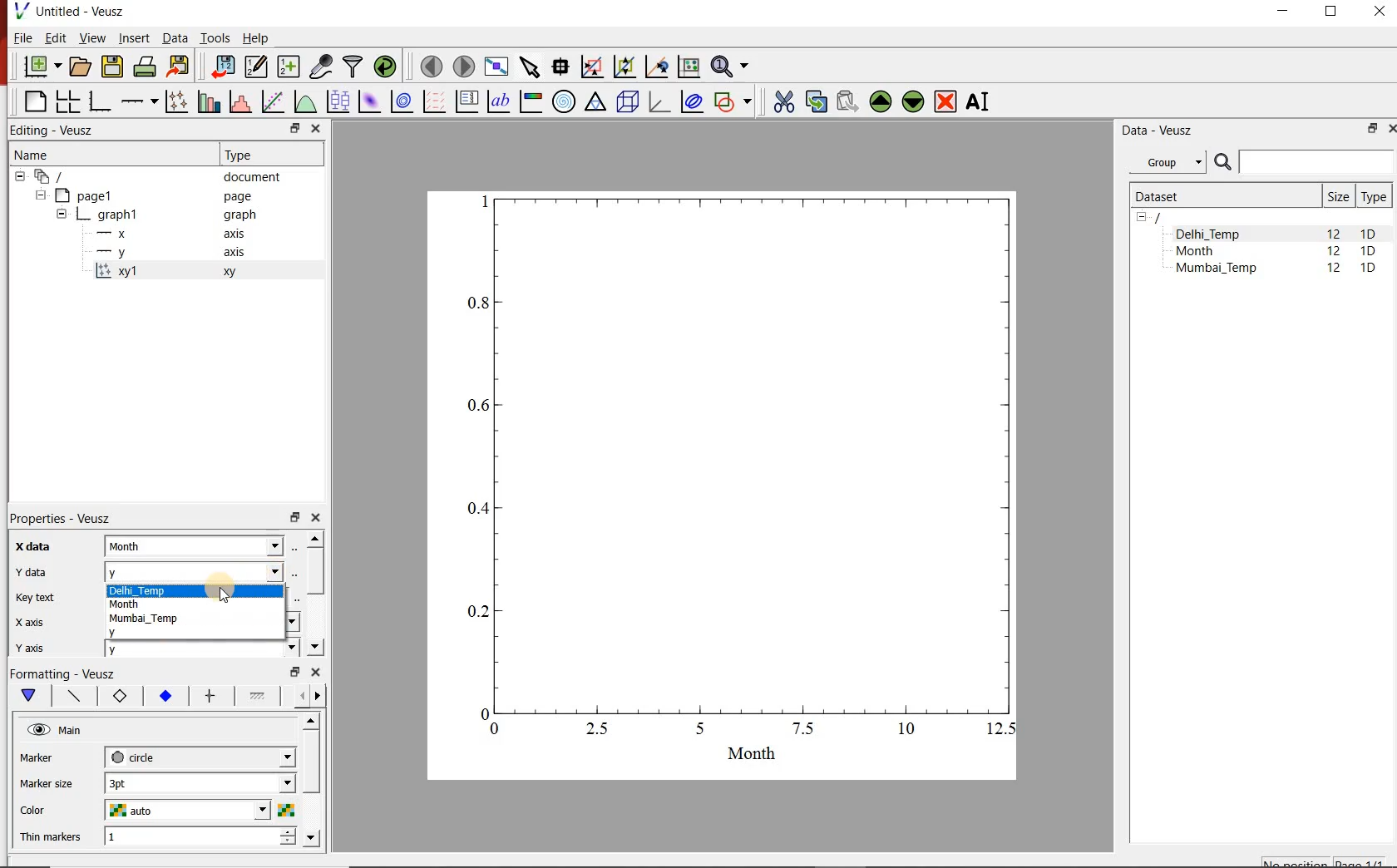 This screenshot has width=1397, height=868. I want to click on Data - Veusz, so click(1160, 131).